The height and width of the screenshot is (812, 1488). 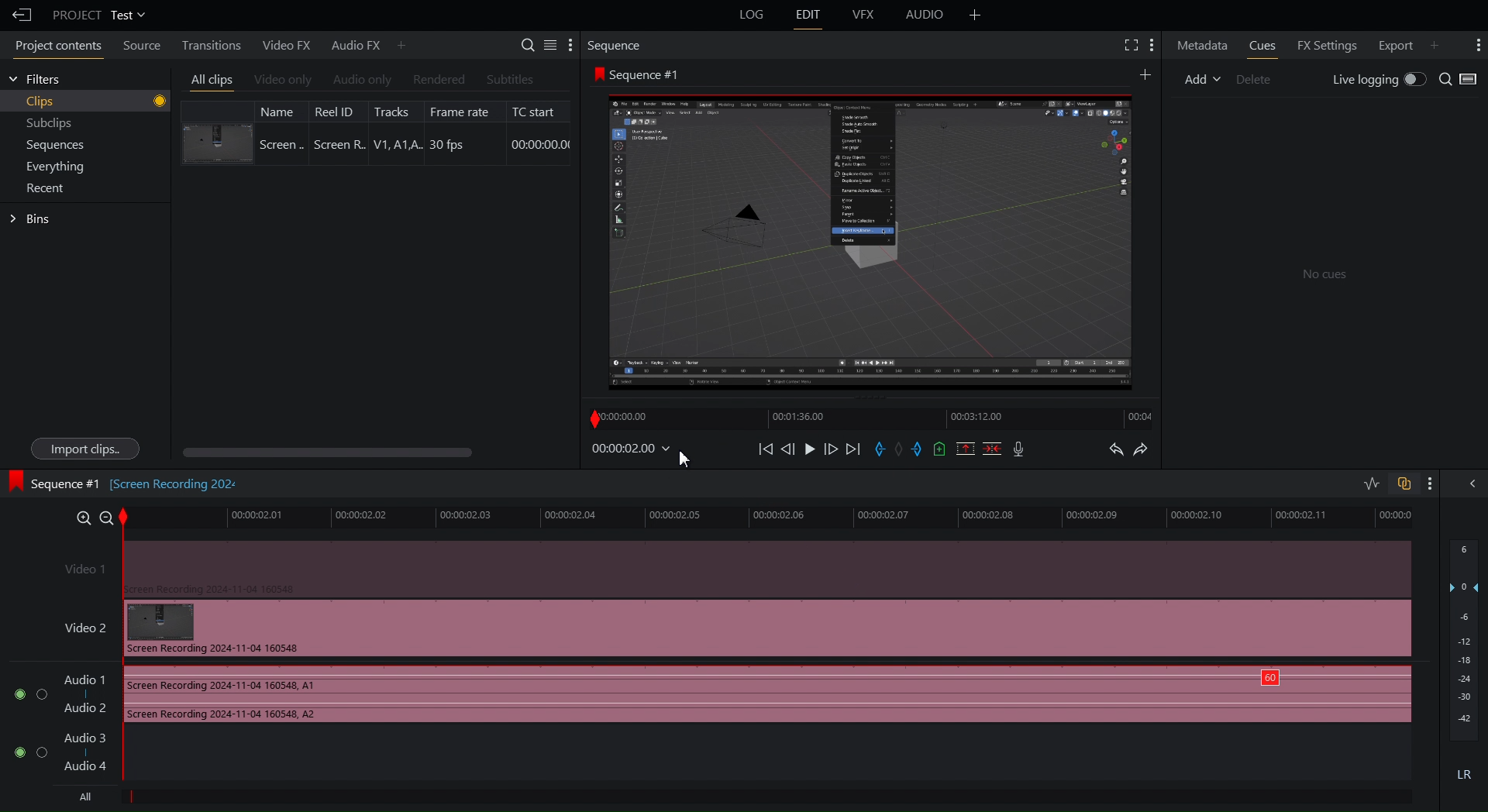 I want to click on Filters, so click(x=35, y=79).